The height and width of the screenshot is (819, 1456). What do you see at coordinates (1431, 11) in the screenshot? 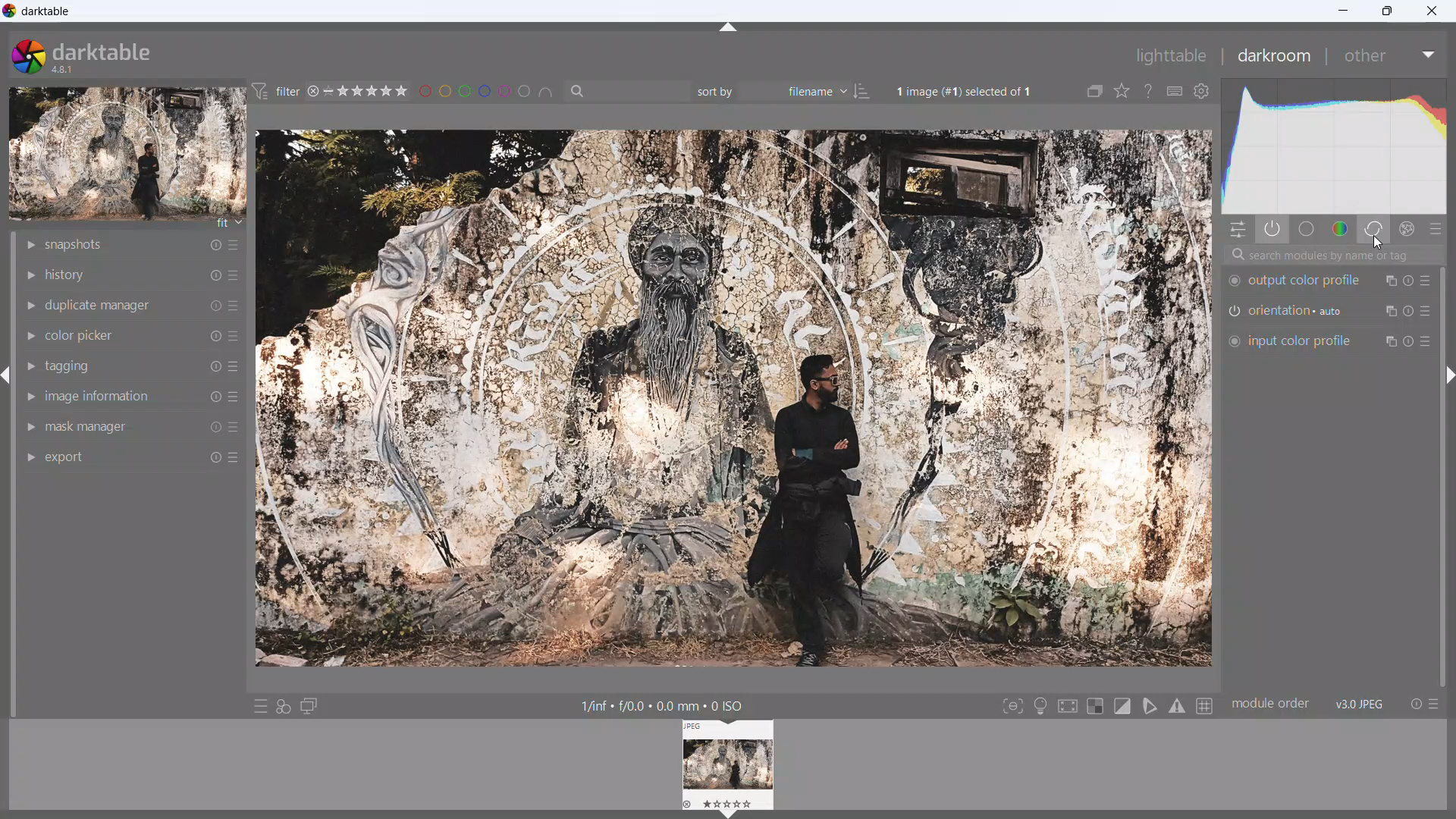
I see `close` at bounding box center [1431, 11].